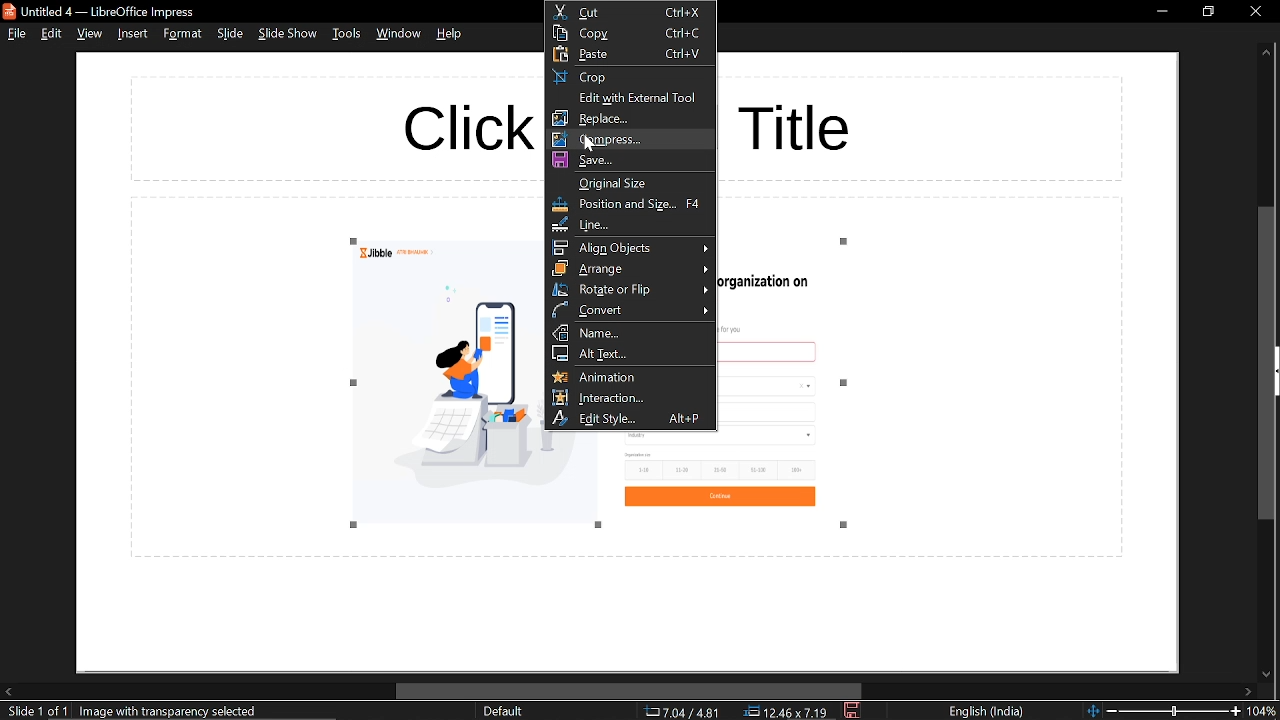 The width and height of the screenshot is (1280, 720). What do you see at coordinates (626, 291) in the screenshot?
I see `rotate or flip` at bounding box center [626, 291].